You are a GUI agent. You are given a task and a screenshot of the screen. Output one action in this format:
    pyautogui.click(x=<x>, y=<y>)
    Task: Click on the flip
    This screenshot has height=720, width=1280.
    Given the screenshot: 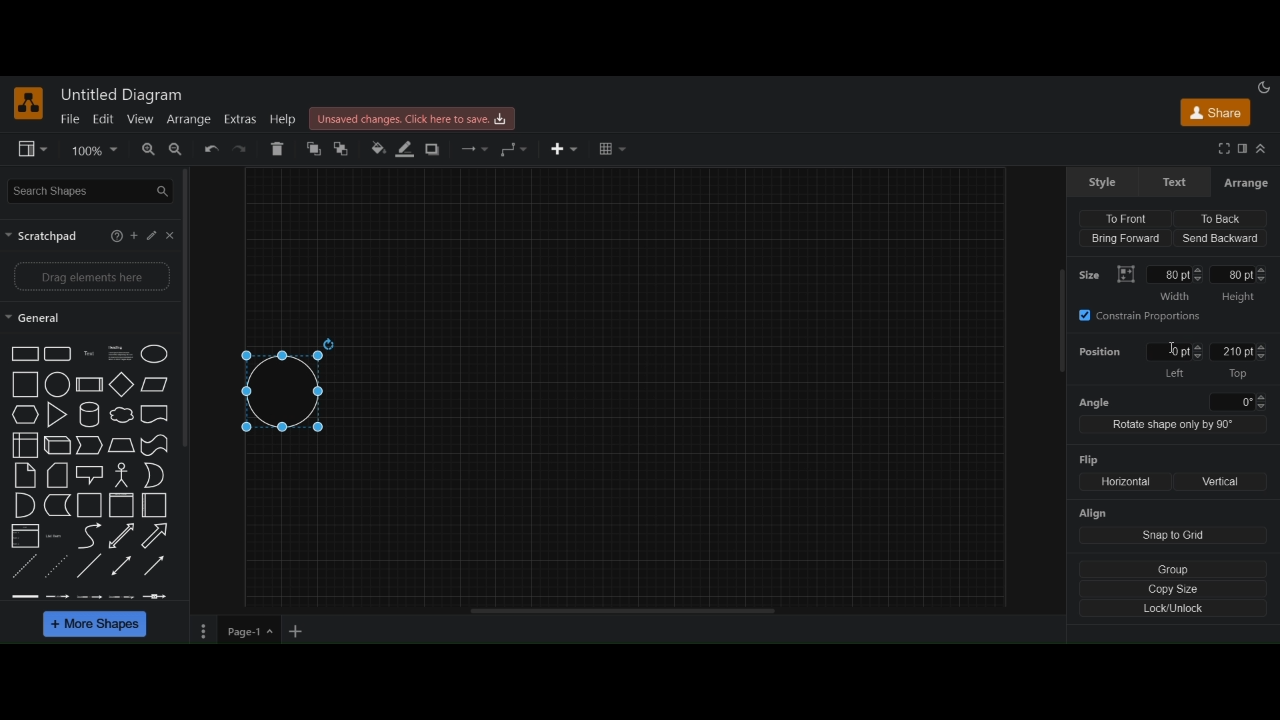 What is the action you would take?
    pyautogui.click(x=1084, y=460)
    